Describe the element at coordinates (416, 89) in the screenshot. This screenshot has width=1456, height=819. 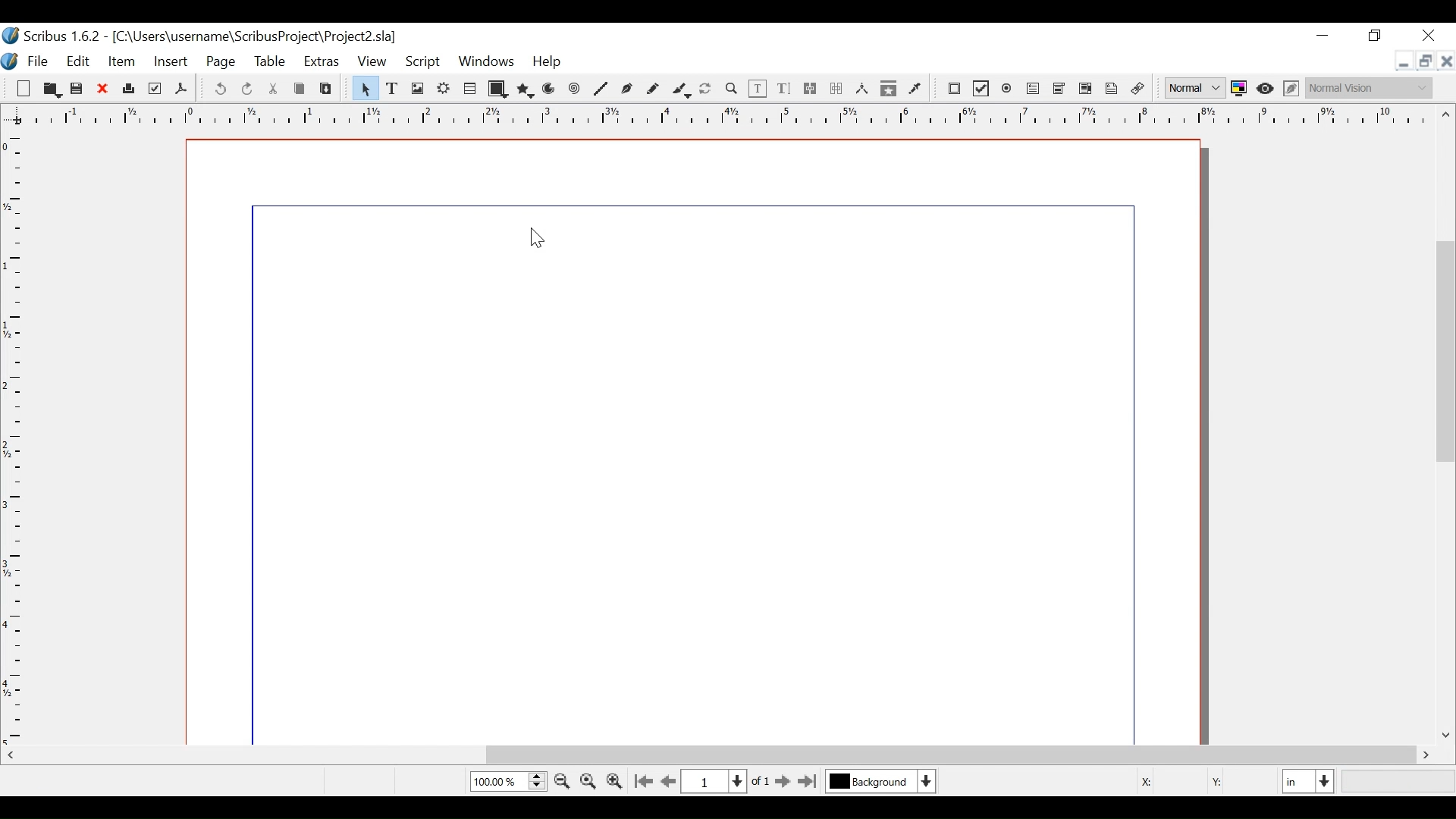
I see `Image Frame` at that location.